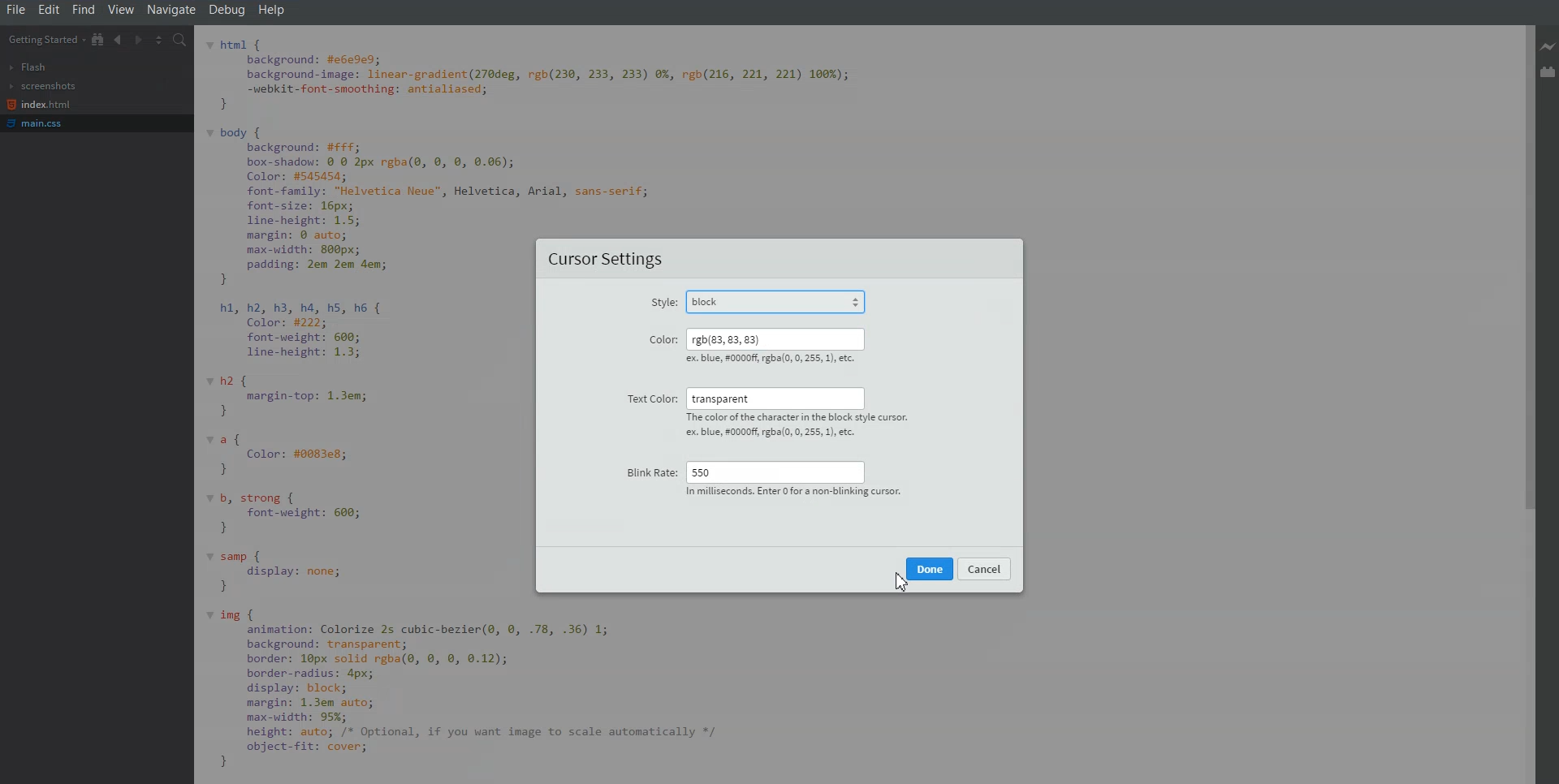 This screenshot has height=784, width=1559. Describe the element at coordinates (791, 493) in the screenshot. I see `In milliseconds. Enter 0 for a non-blinking cursor.` at that location.